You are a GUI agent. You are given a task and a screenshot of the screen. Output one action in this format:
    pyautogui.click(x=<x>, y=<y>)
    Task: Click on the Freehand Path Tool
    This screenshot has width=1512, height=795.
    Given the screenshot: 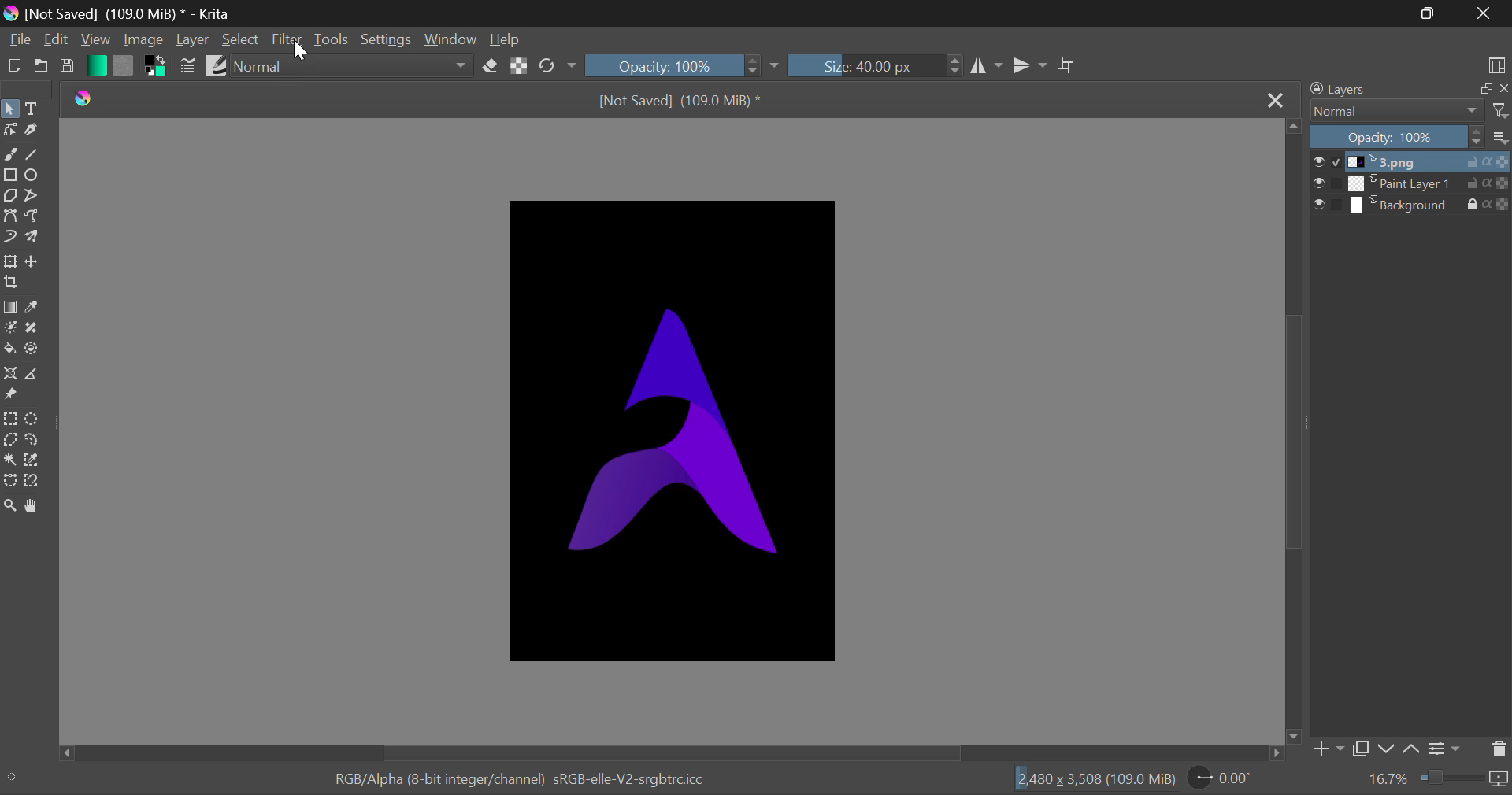 What is the action you would take?
    pyautogui.click(x=33, y=215)
    